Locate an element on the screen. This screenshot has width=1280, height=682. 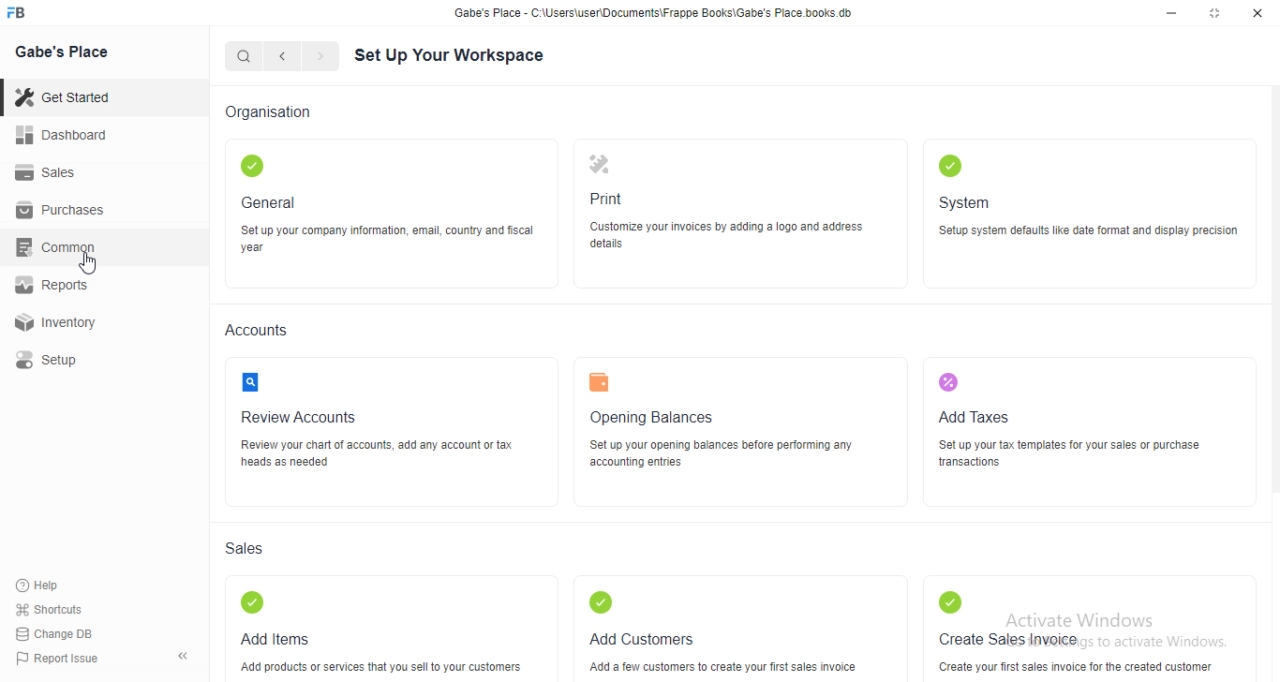
Add Items
Add products or services that you sell fo your customers is located at coordinates (386, 630).